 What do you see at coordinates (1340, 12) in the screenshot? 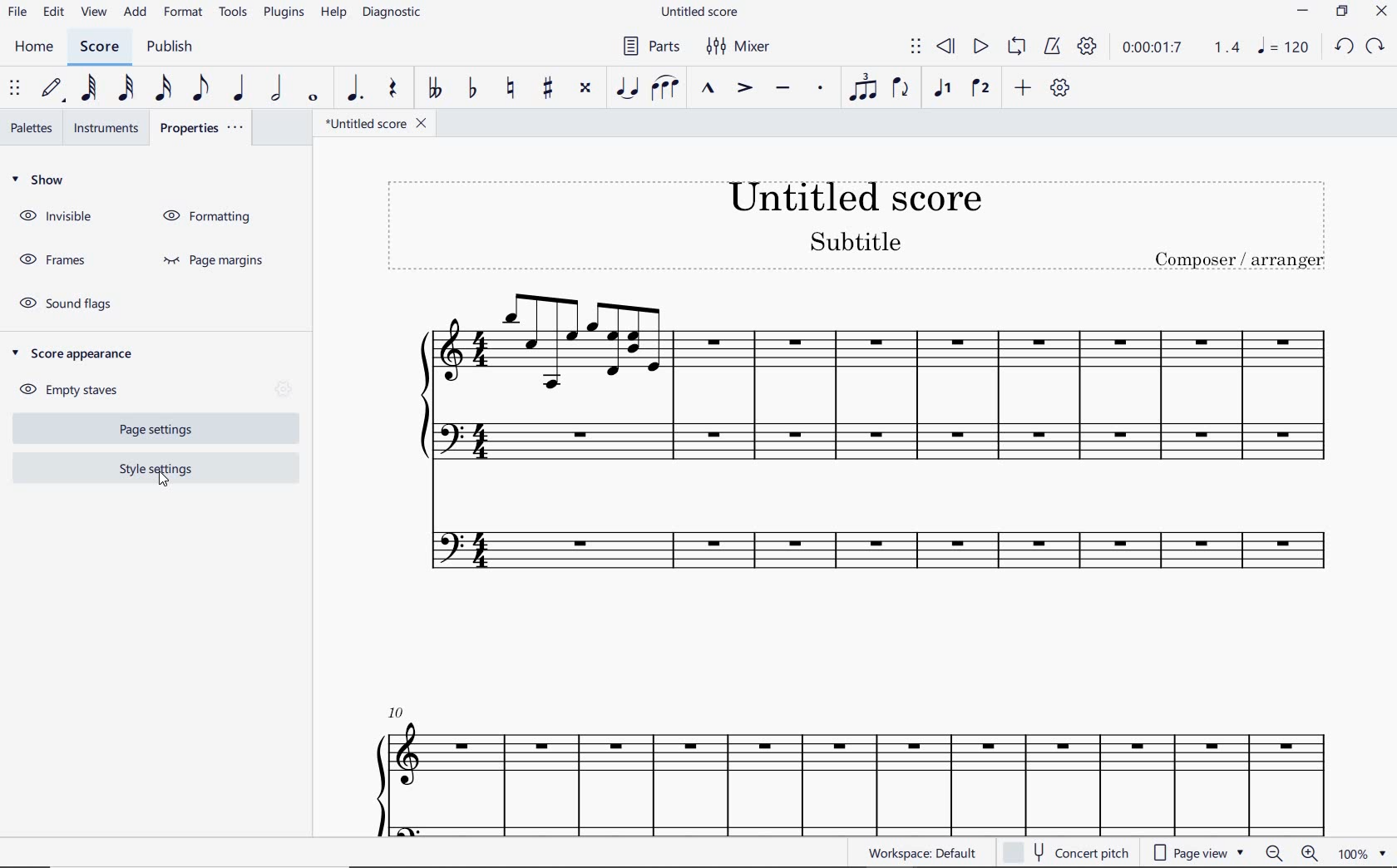
I see `RESTORE DOWN` at bounding box center [1340, 12].